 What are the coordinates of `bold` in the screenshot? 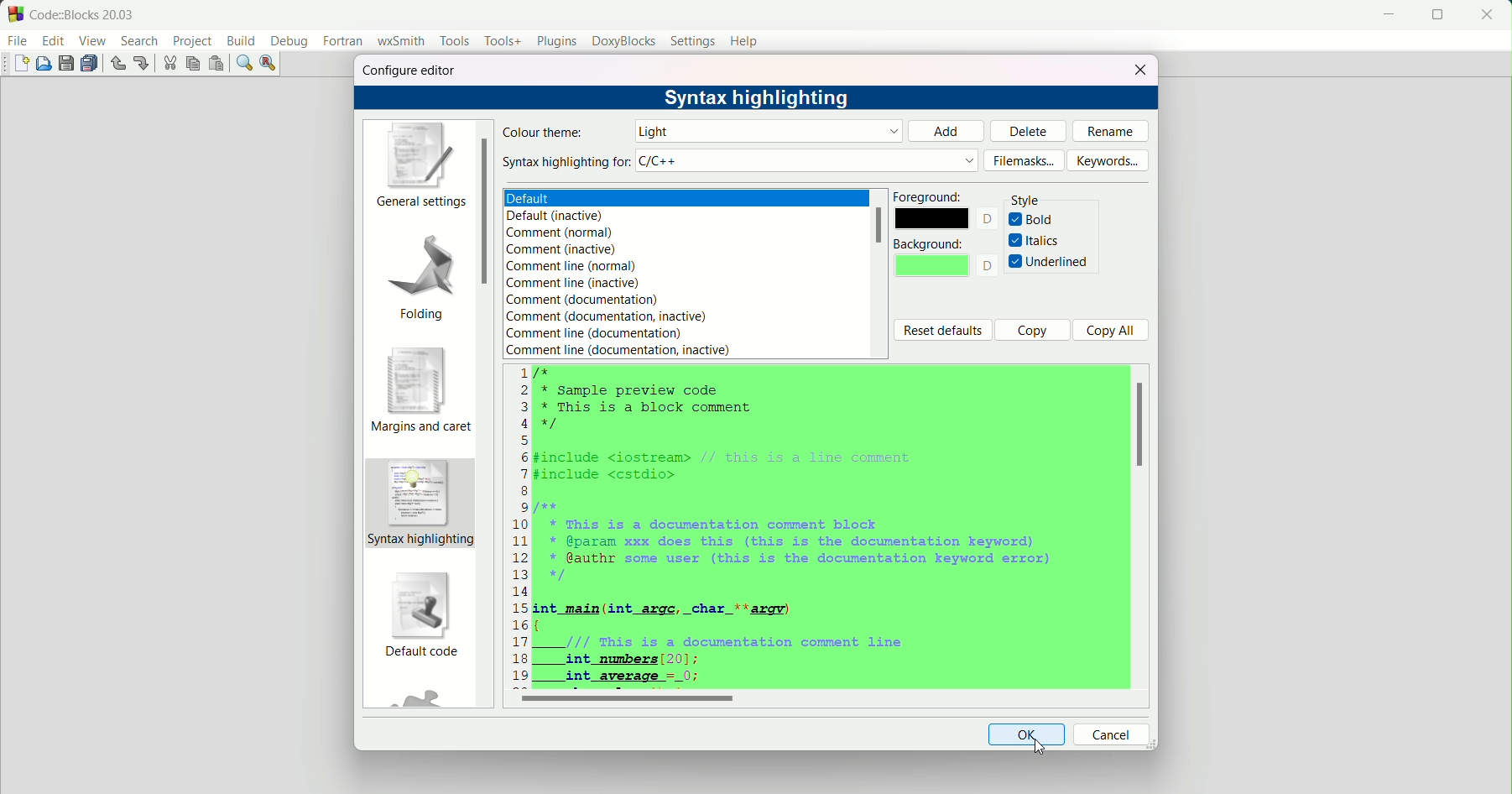 It's located at (1035, 220).